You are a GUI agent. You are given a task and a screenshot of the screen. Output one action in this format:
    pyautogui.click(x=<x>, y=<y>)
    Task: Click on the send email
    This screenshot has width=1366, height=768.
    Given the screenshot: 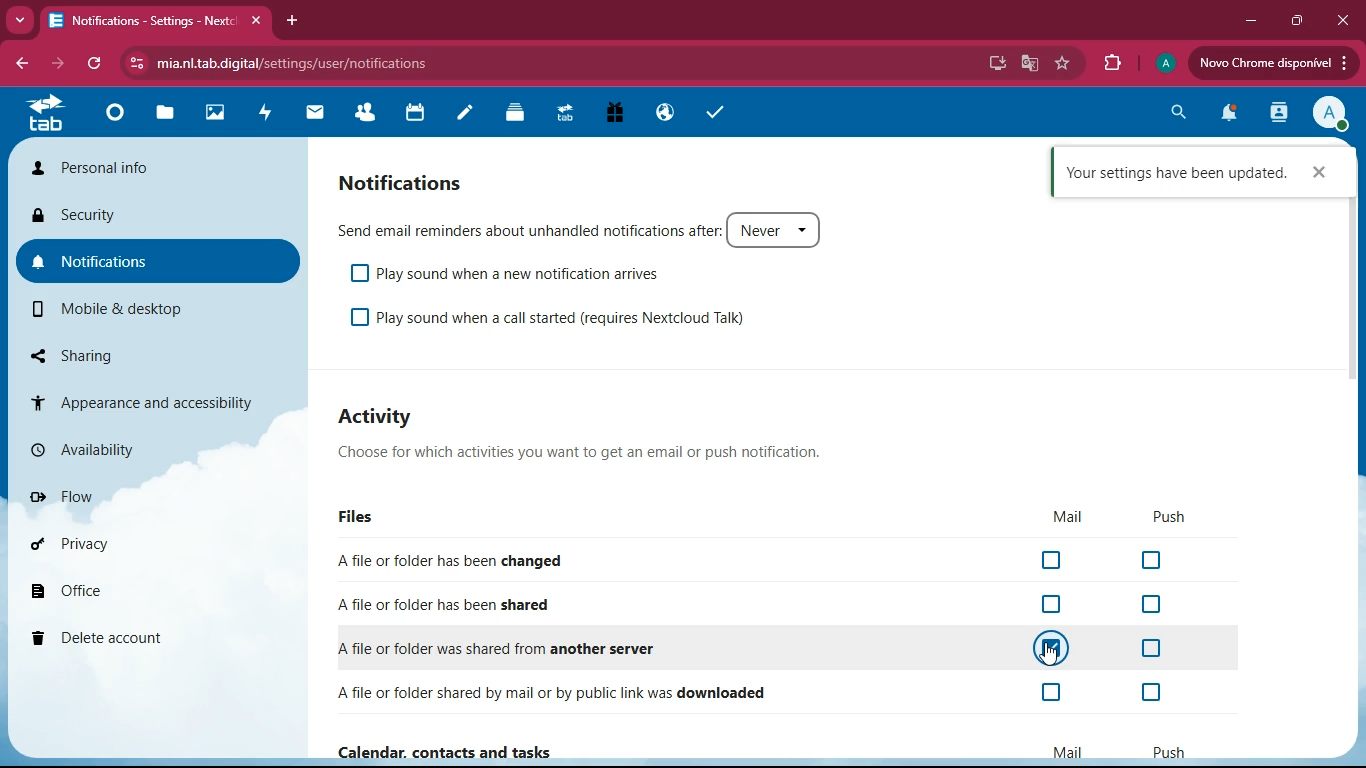 What is the action you would take?
    pyautogui.click(x=586, y=228)
    